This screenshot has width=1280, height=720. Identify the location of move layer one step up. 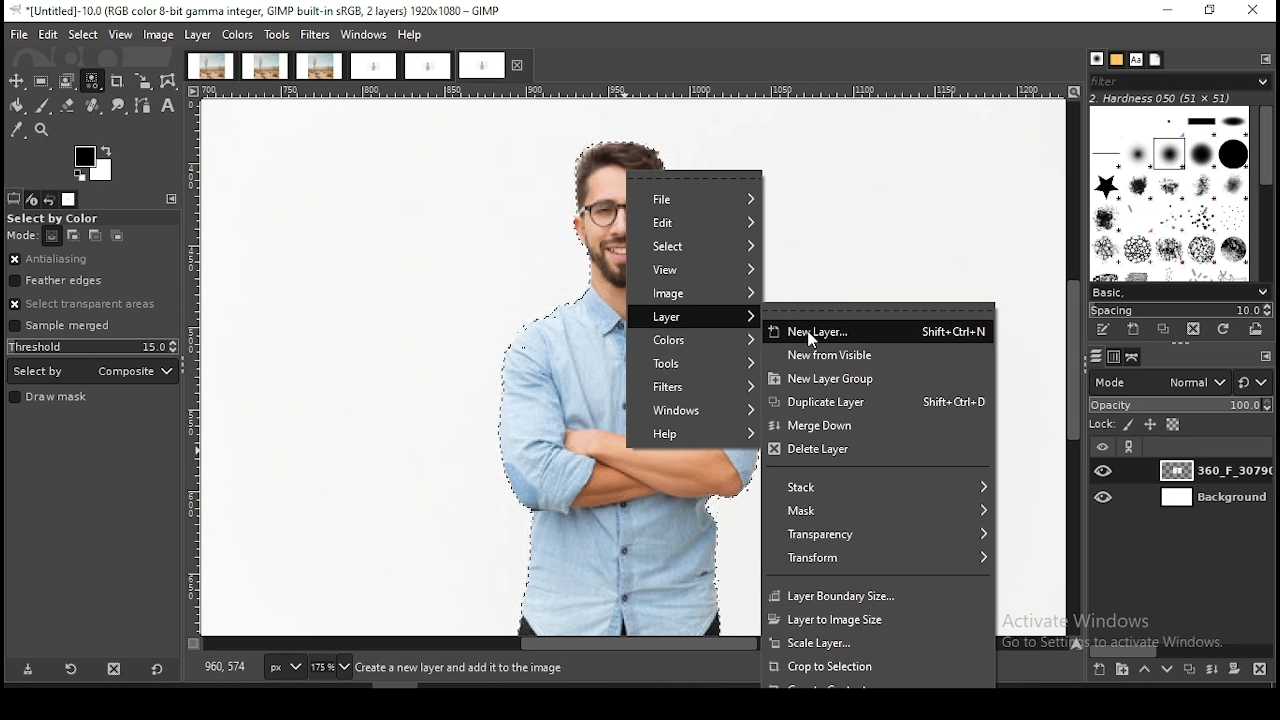
(1144, 669).